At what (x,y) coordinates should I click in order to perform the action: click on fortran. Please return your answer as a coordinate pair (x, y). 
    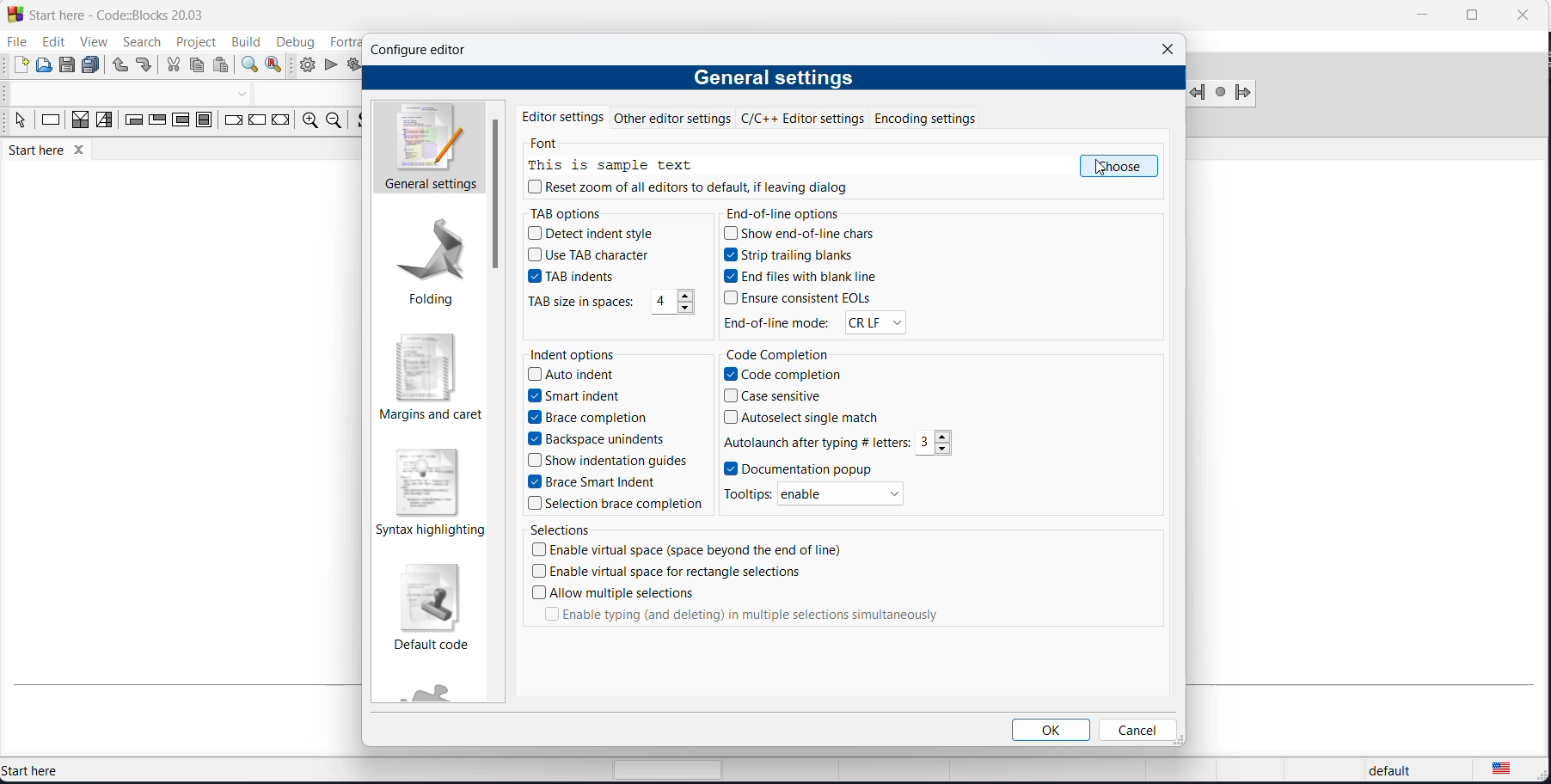
    Looking at the image, I should click on (438, 695).